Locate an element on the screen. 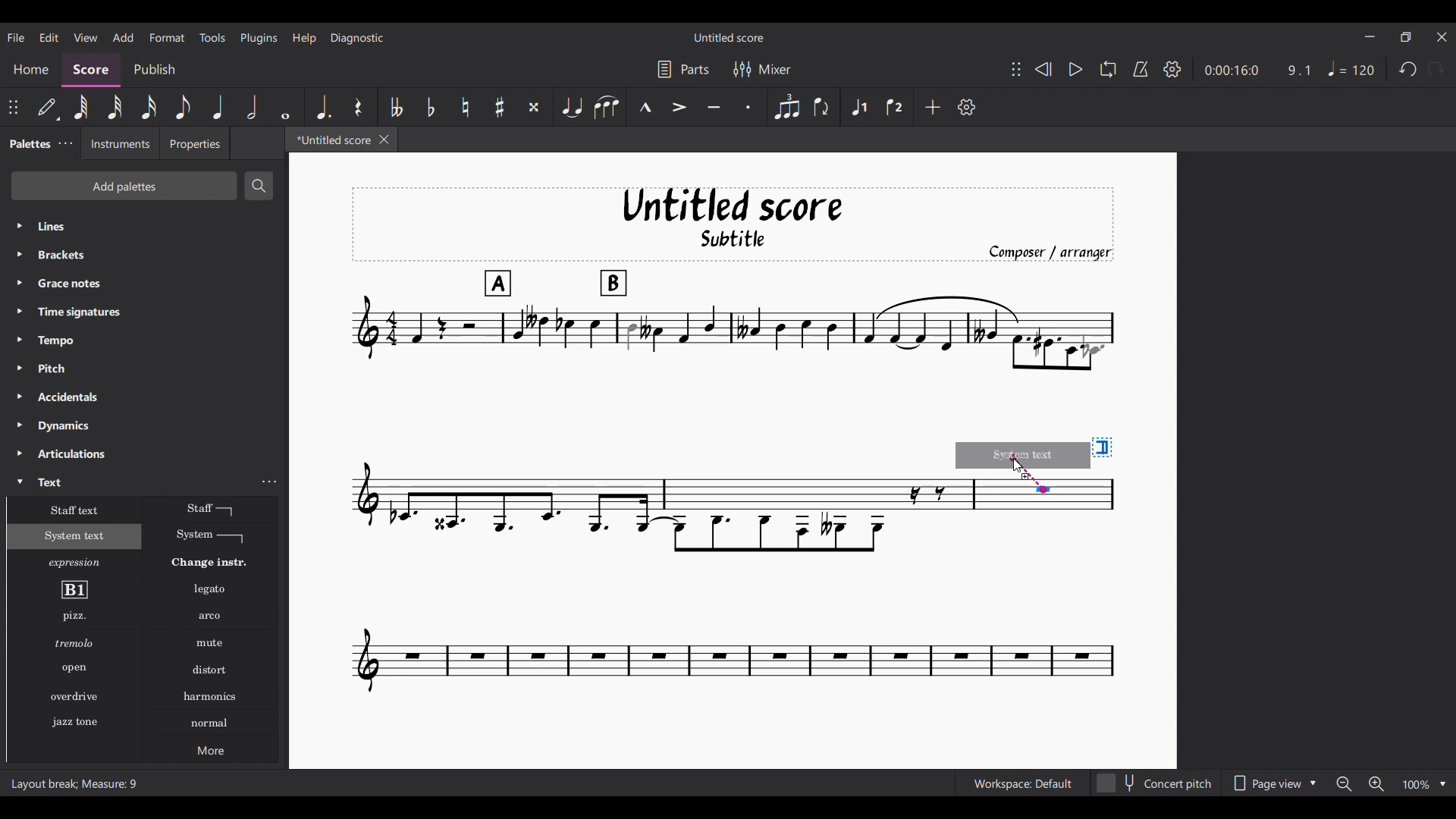  Change instr. is located at coordinates (209, 563).